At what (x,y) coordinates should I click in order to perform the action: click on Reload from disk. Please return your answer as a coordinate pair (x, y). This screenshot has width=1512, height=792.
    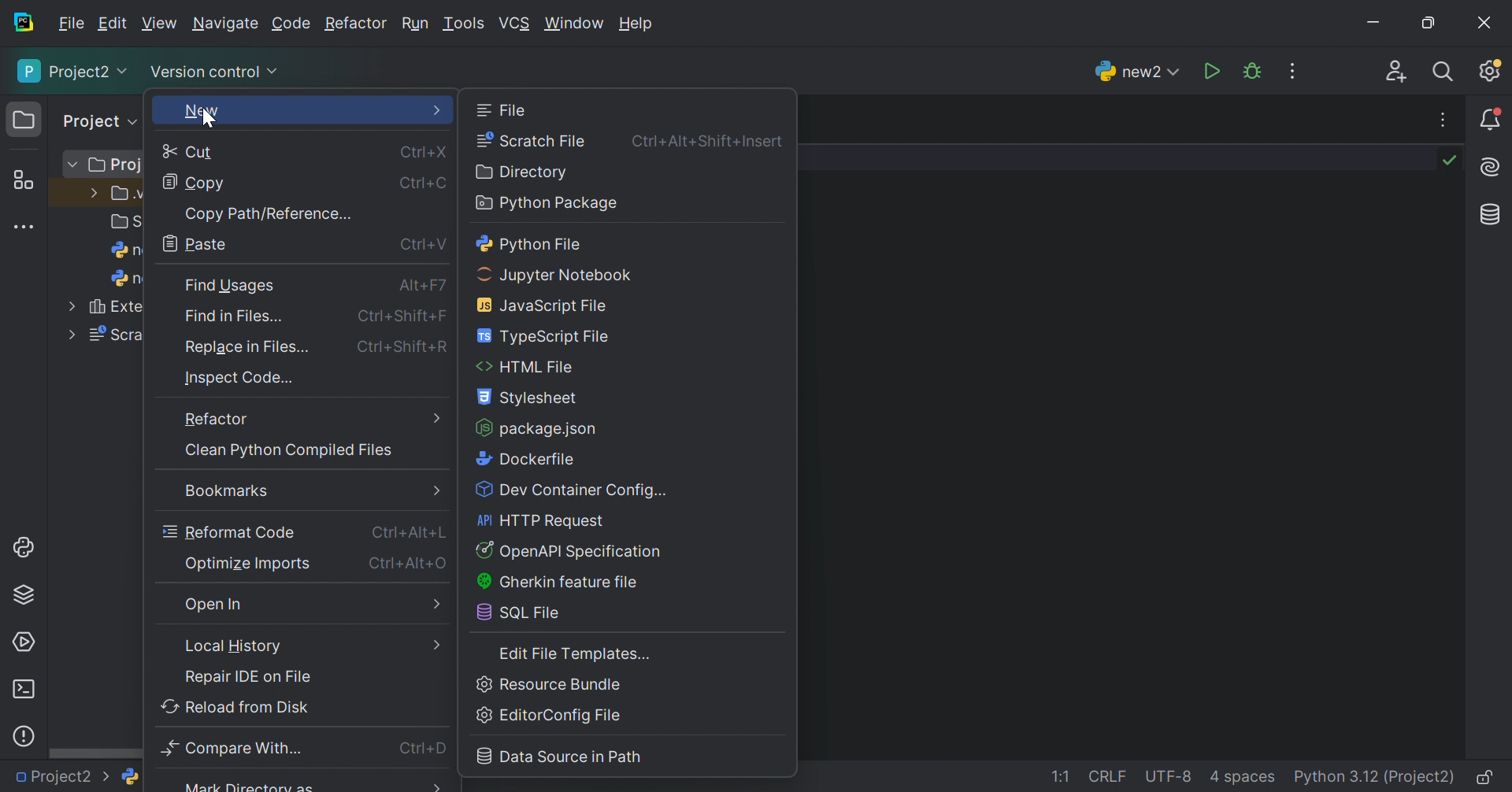
    Looking at the image, I should click on (239, 706).